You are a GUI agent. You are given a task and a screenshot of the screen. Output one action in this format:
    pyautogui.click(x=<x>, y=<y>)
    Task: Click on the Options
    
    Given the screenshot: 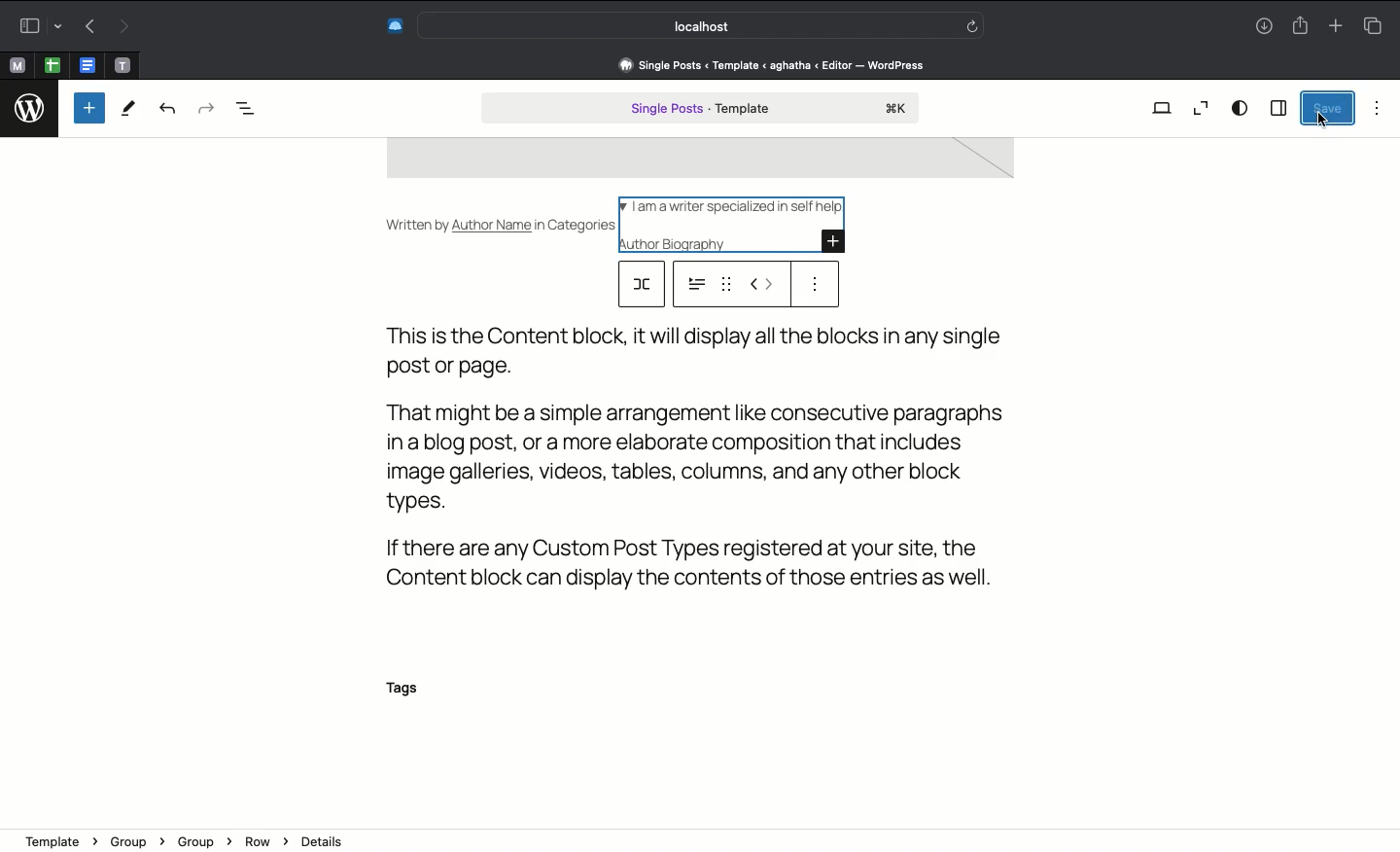 What is the action you would take?
    pyautogui.click(x=1377, y=107)
    